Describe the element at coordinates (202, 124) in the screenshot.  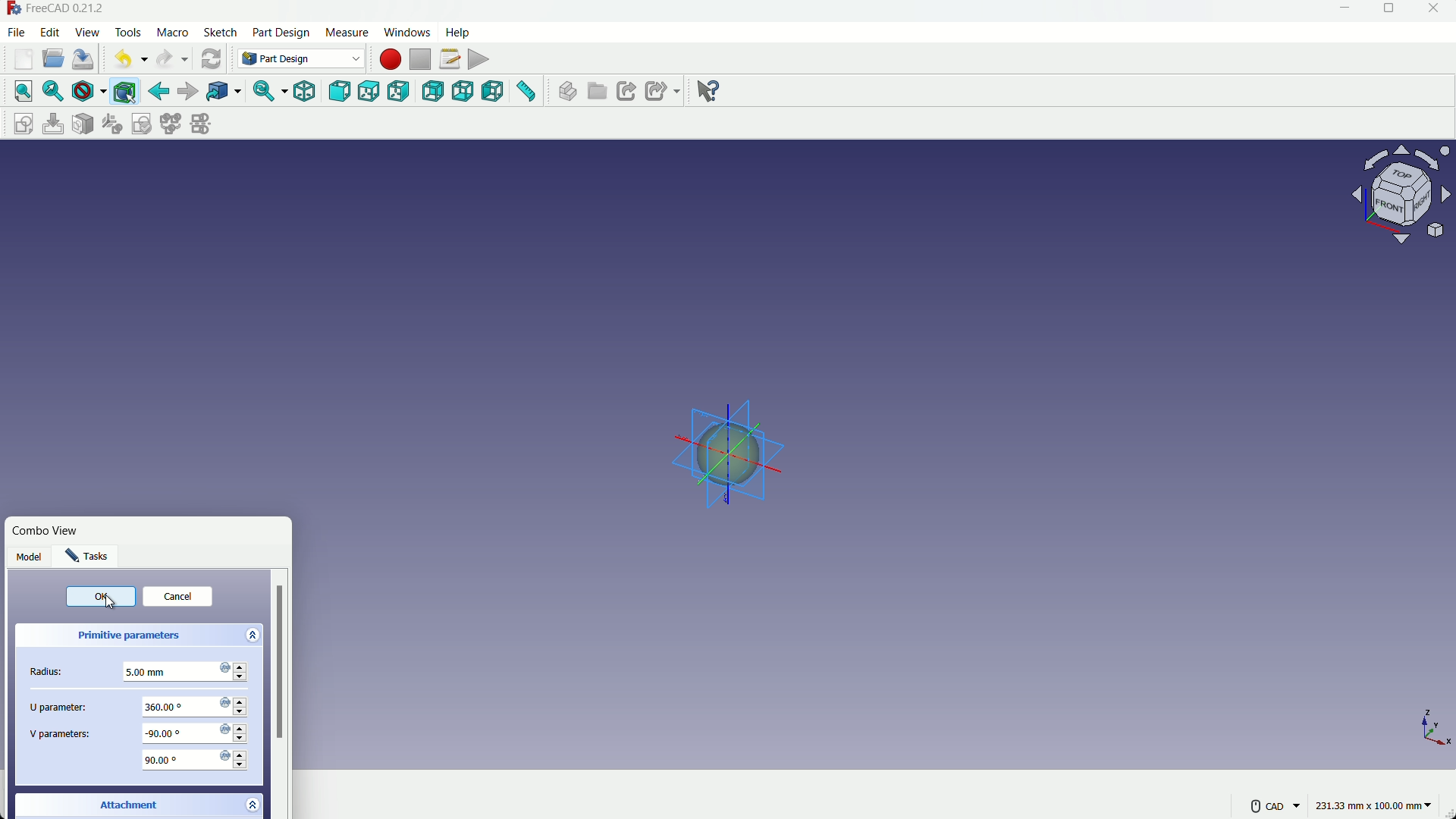
I see `mirror sketch` at that location.